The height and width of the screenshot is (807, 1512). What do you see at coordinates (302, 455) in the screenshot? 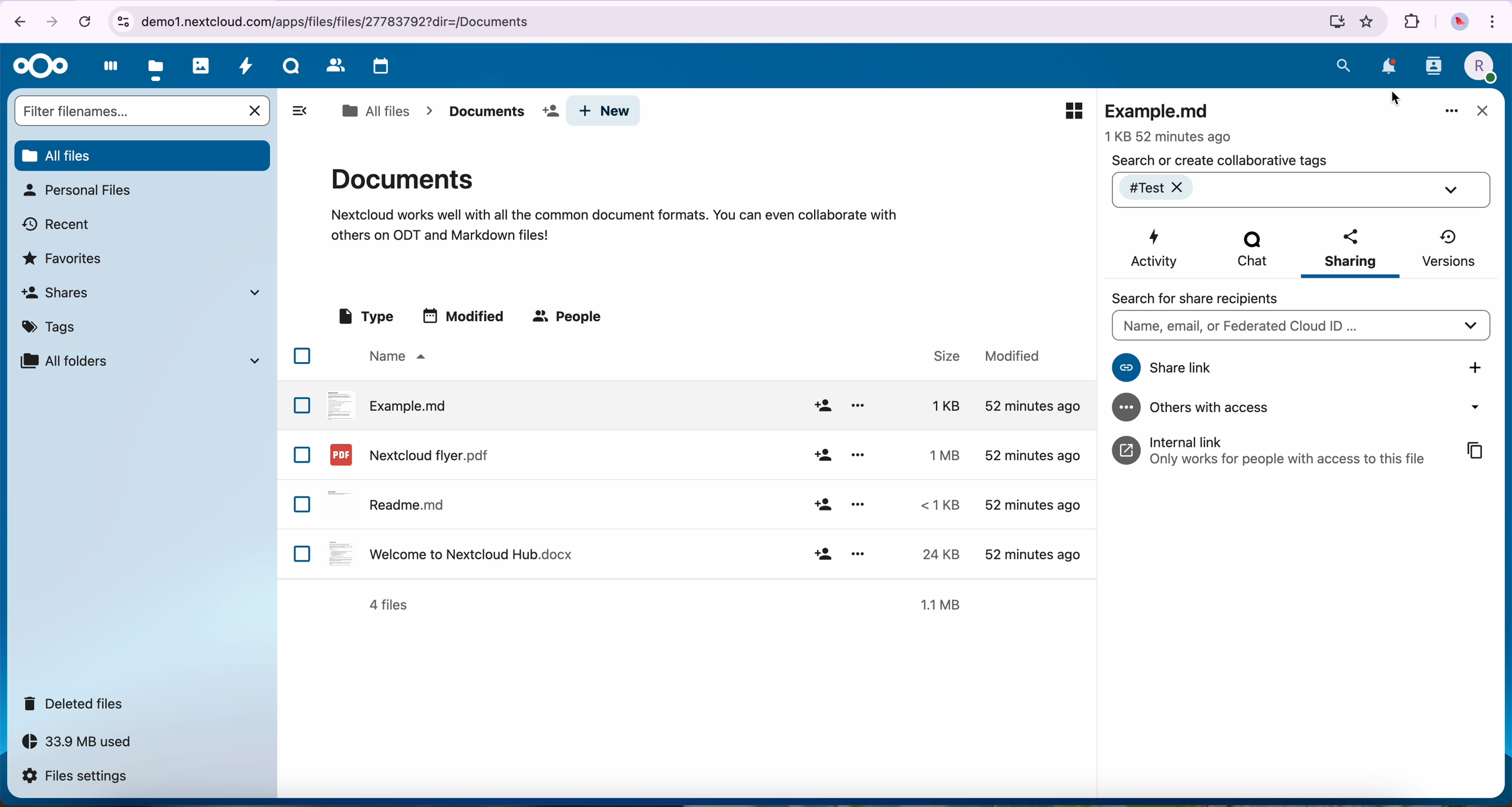
I see `checkbox` at bounding box center [302, 455].